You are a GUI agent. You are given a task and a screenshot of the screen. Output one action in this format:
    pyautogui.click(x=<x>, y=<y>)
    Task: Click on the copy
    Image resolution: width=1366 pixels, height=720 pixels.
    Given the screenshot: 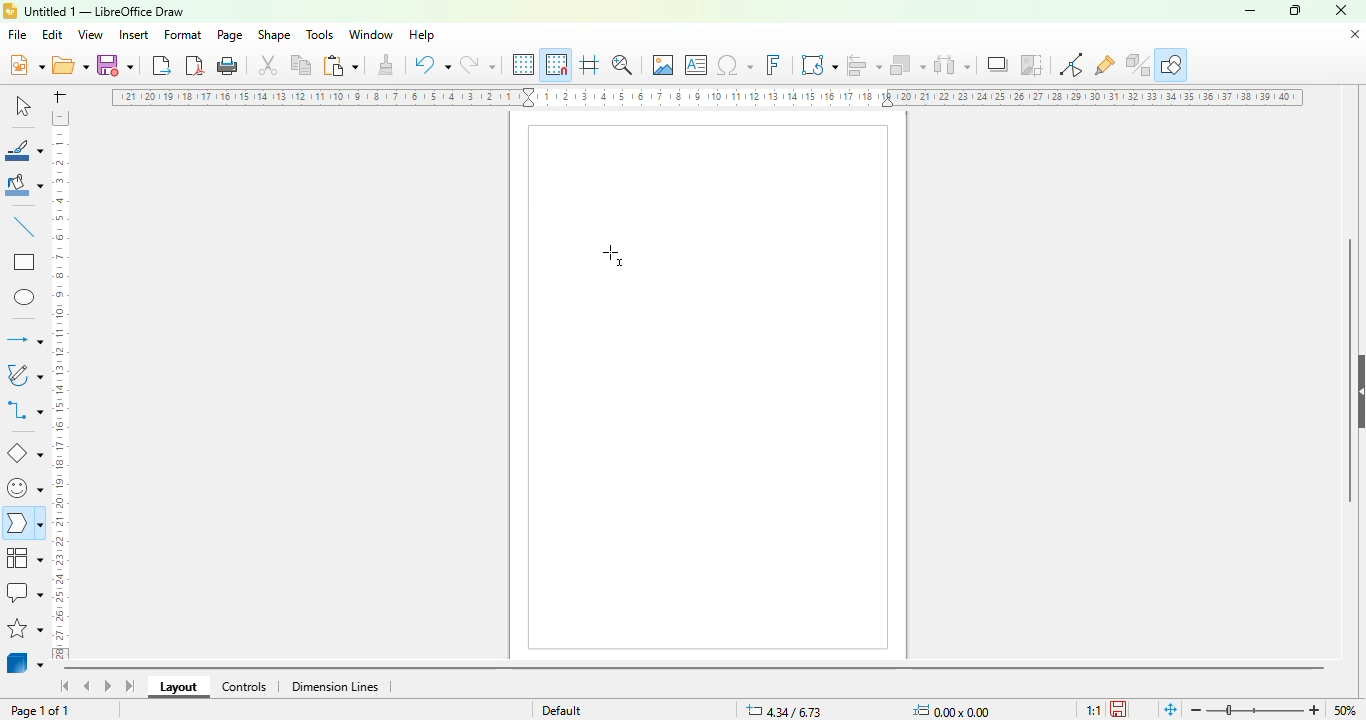 What is the action you would take?
    pyautogui.click(x=301, y=65)
    